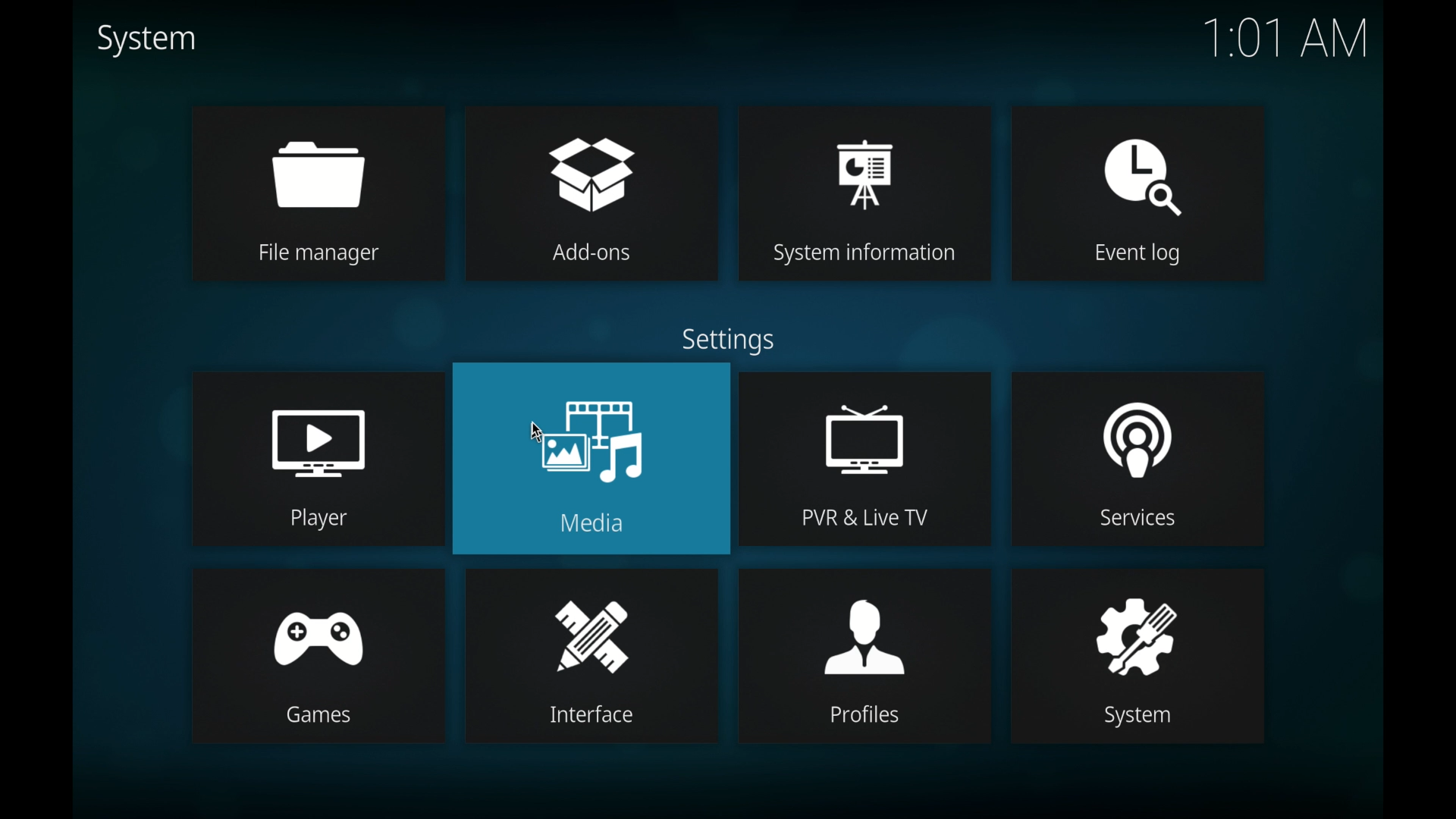  I want to click on pvr & live tv, so click(865, 428).